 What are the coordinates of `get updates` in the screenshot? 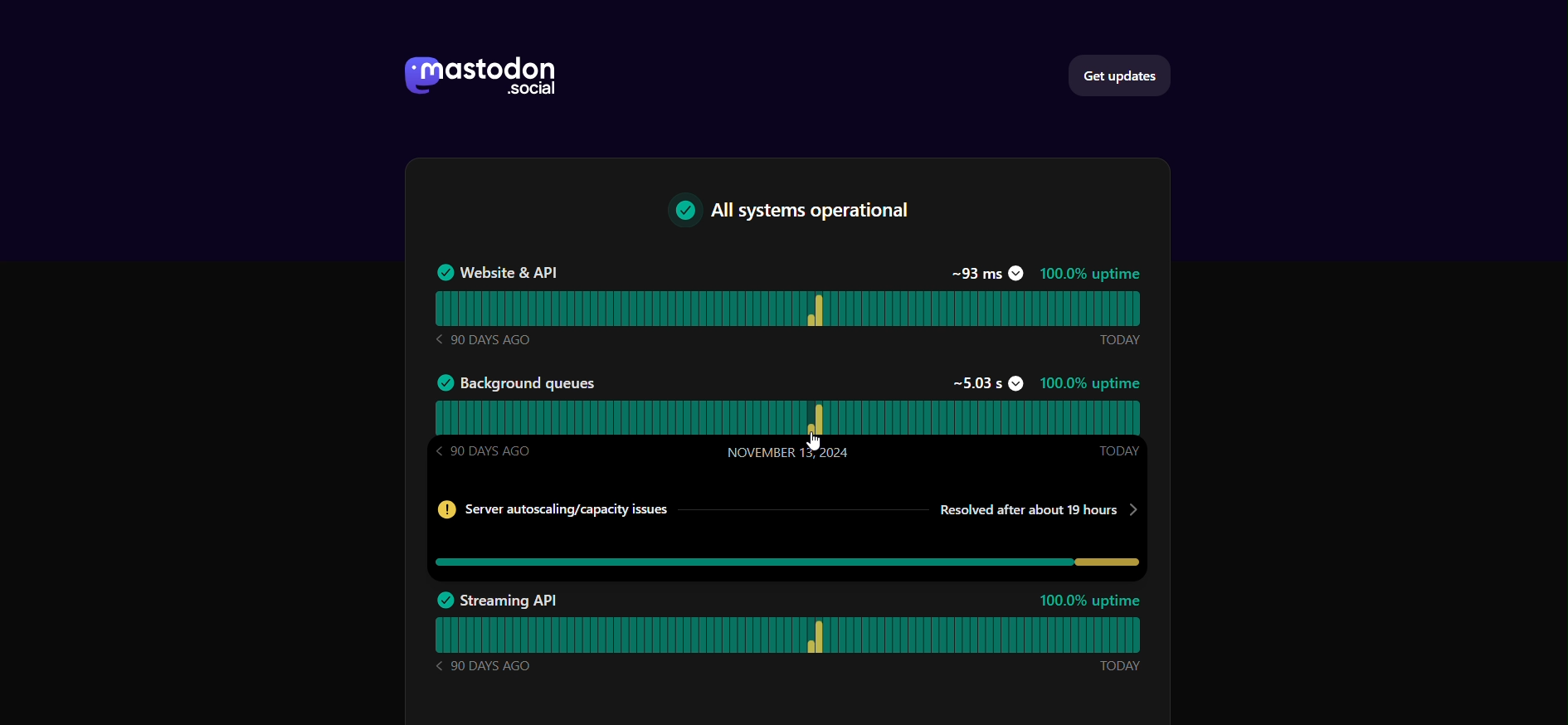 It's located at (1118, 75).